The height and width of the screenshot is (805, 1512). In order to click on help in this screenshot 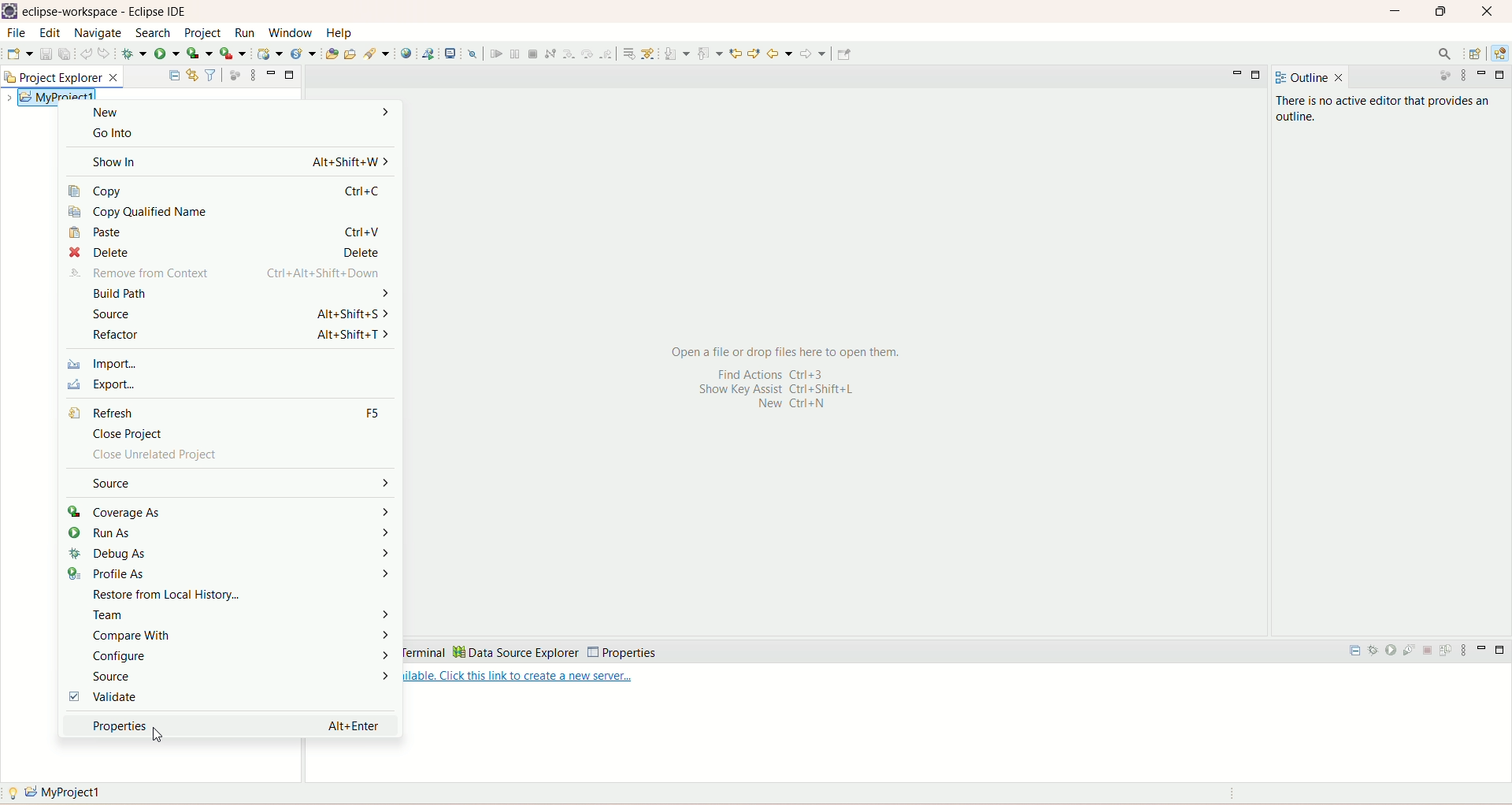, I will do `click(338, 33)`.